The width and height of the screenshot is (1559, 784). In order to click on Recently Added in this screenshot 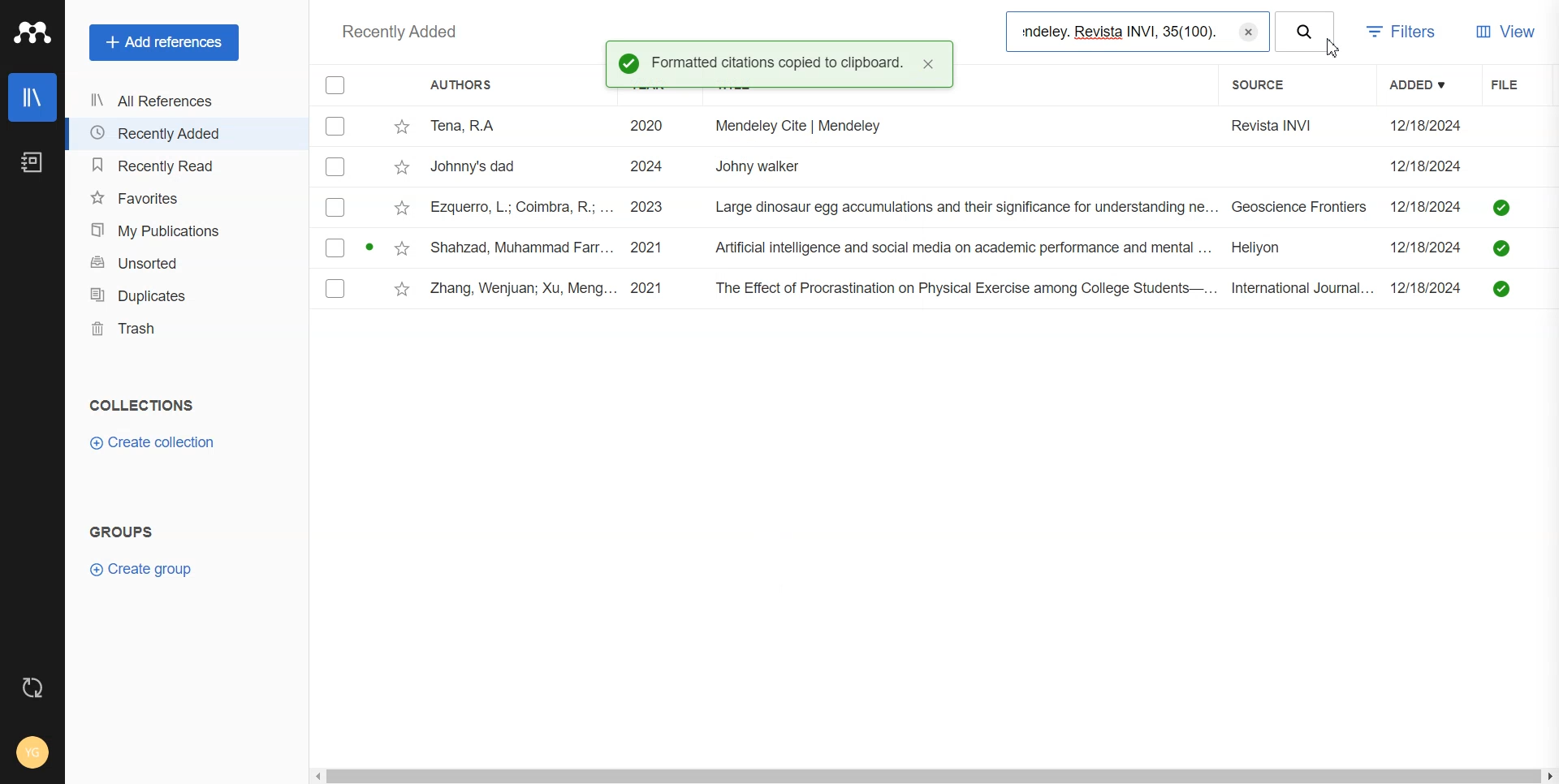, I will do `click(183, 133)`.